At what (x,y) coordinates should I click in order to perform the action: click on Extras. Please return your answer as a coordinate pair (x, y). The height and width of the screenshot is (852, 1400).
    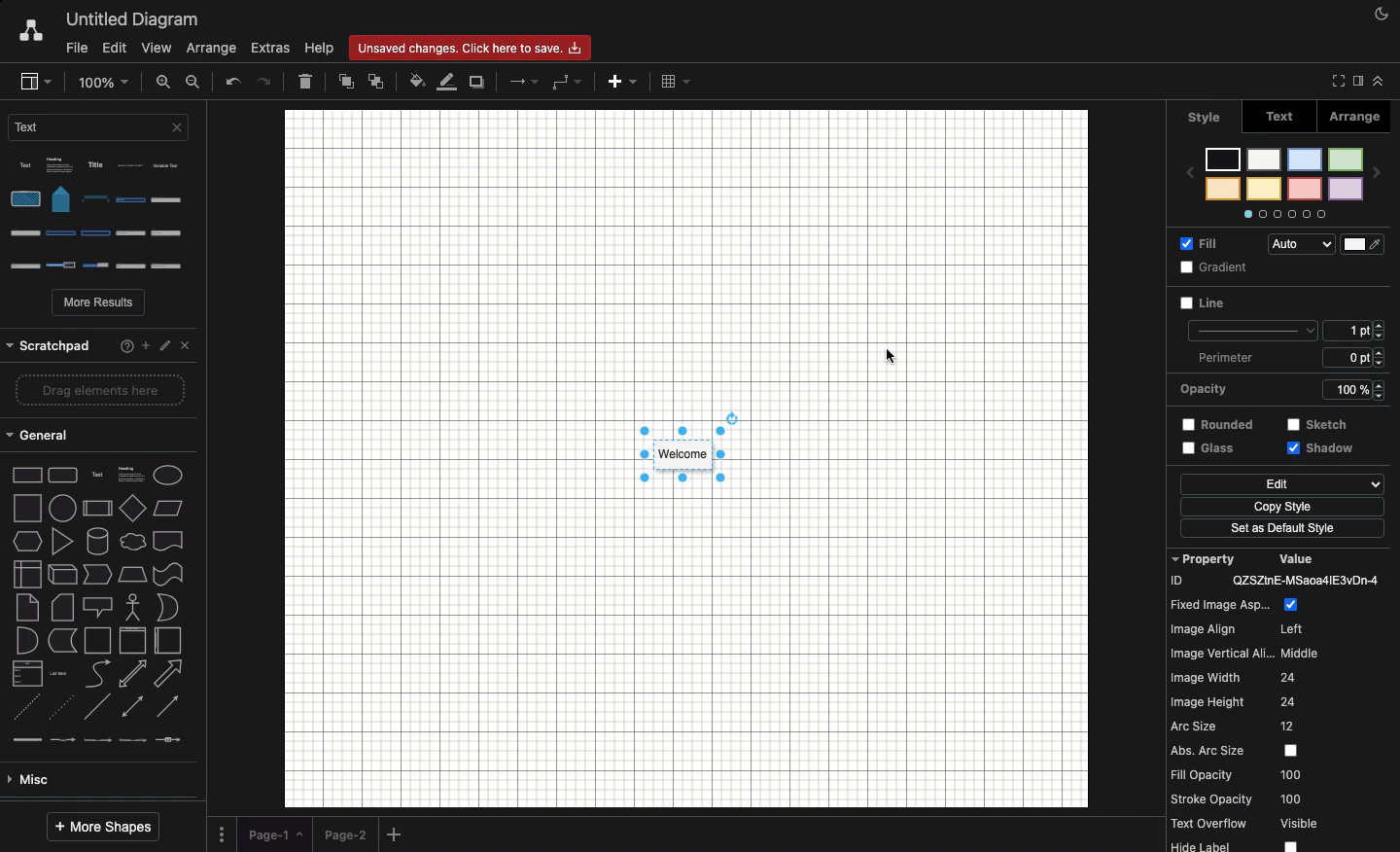
    Looking at the image, I should click on (271, 49).